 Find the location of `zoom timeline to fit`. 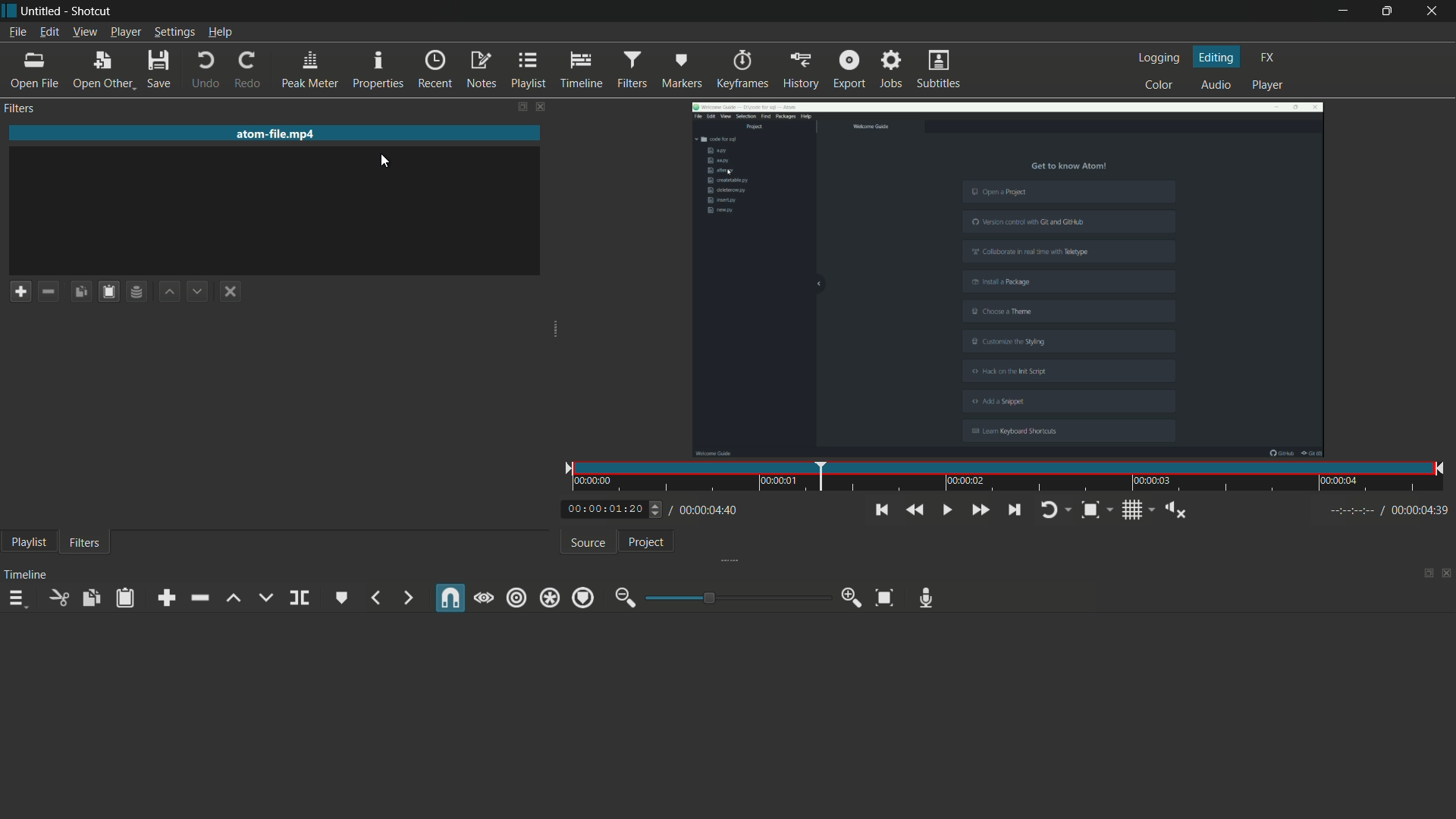

zoom timeline to fit is located at coordinates (884, 598).